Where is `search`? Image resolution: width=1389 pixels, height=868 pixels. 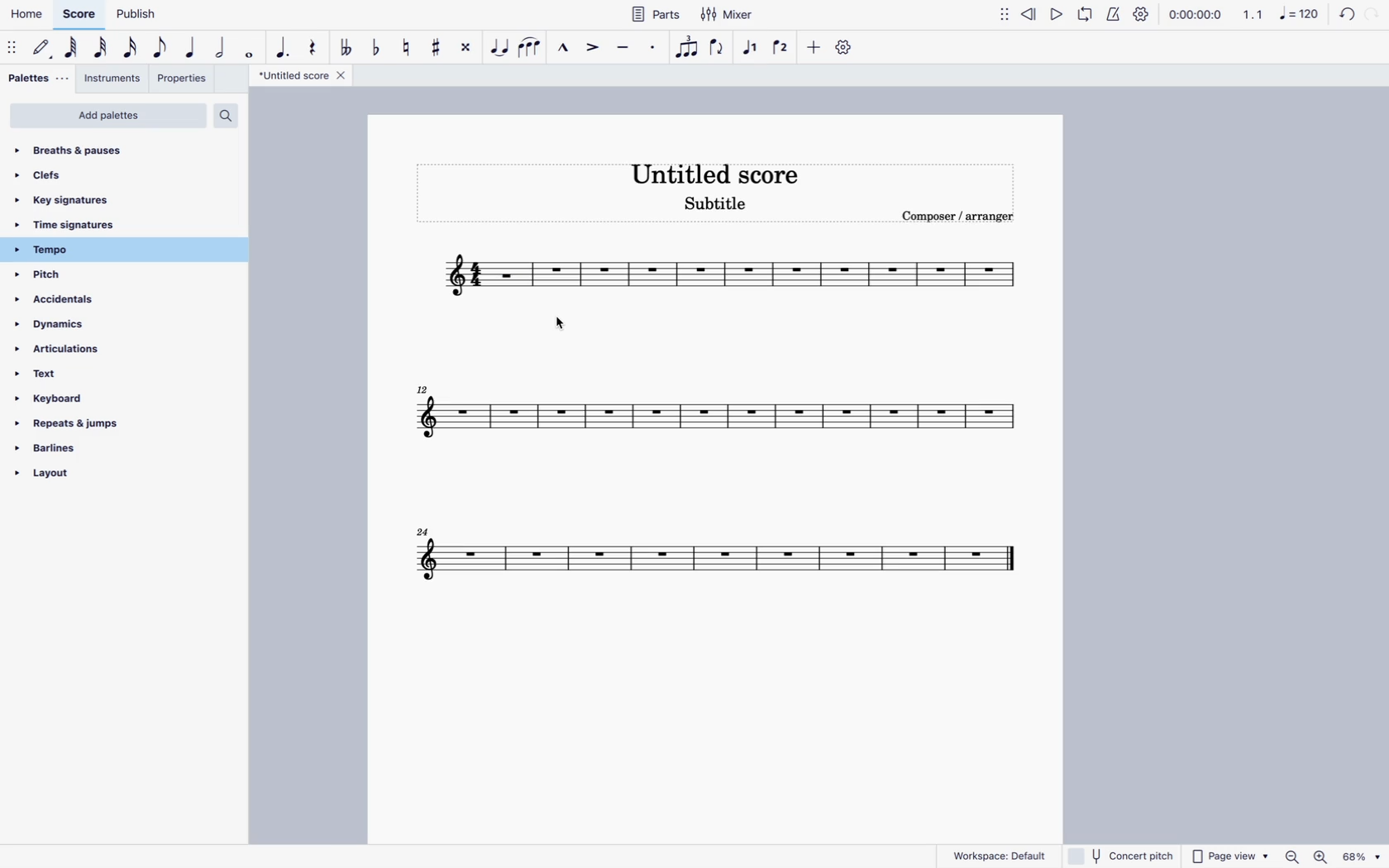 search is located at coordinates (231, 117).